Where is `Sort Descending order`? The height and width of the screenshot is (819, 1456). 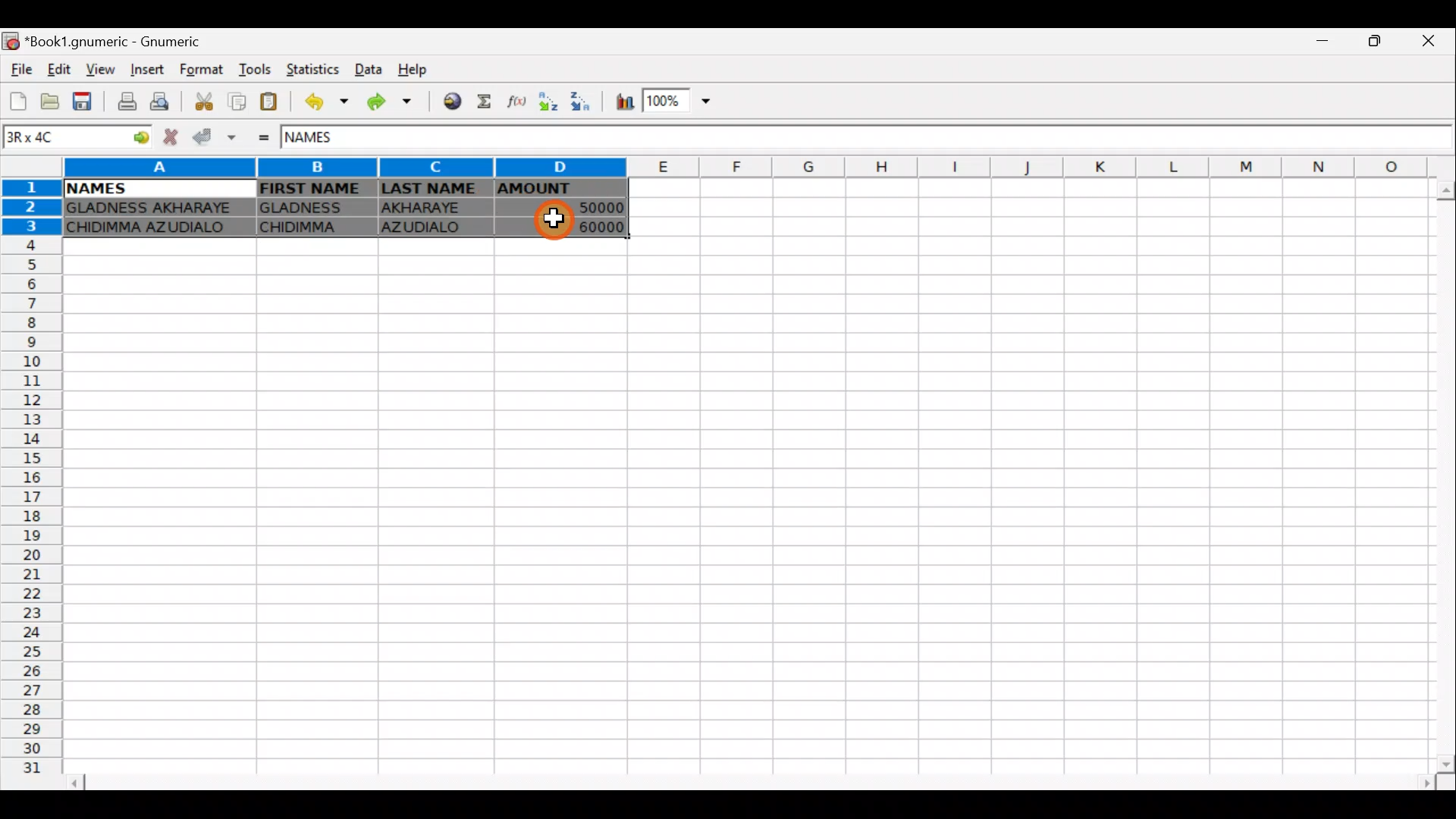 Sort Descending order is located at coordinates (579, 101).